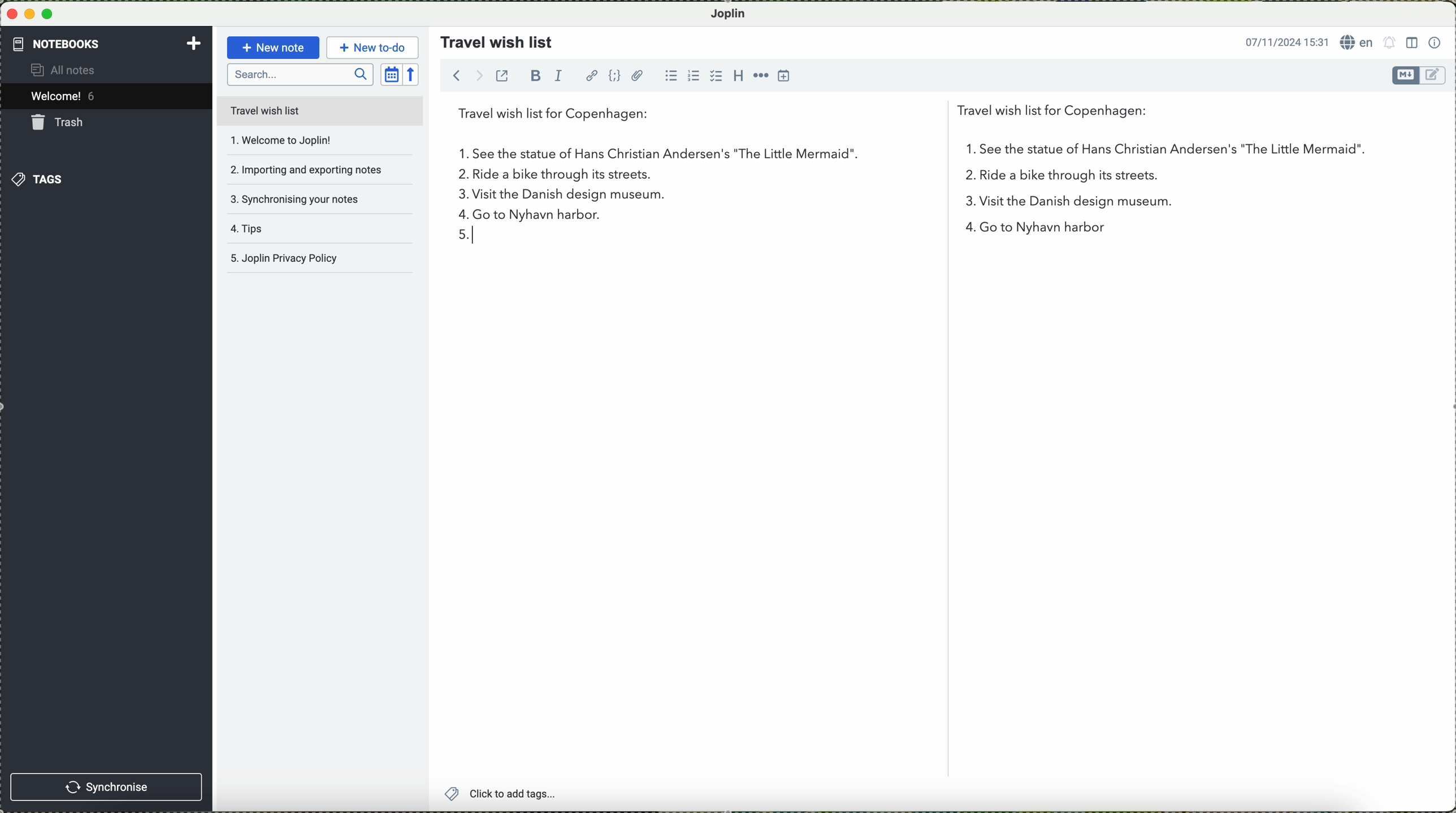 The image size is (1456, 813). What do you see at coordinates (11, 15) in the screenshot?
I see `close` at bounding box center [11, 15].